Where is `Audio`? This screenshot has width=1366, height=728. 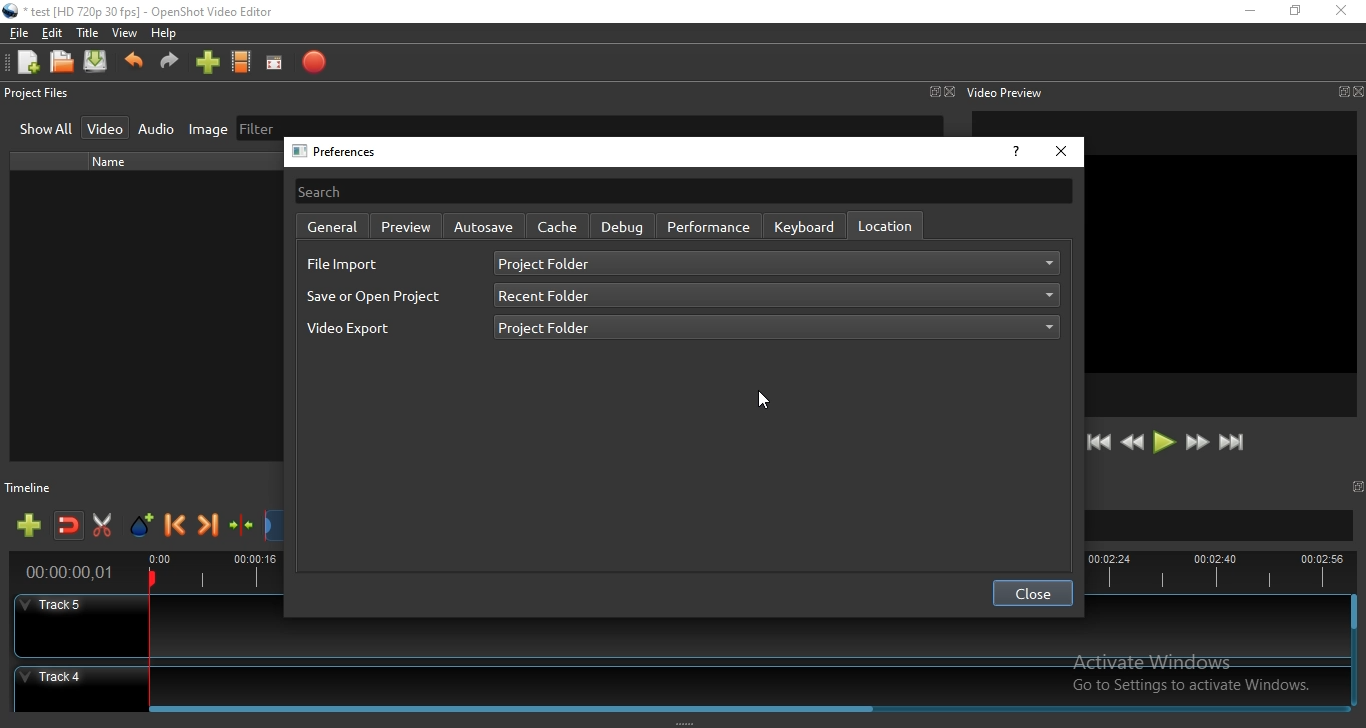
Audio is located at coordinates (157, 129).